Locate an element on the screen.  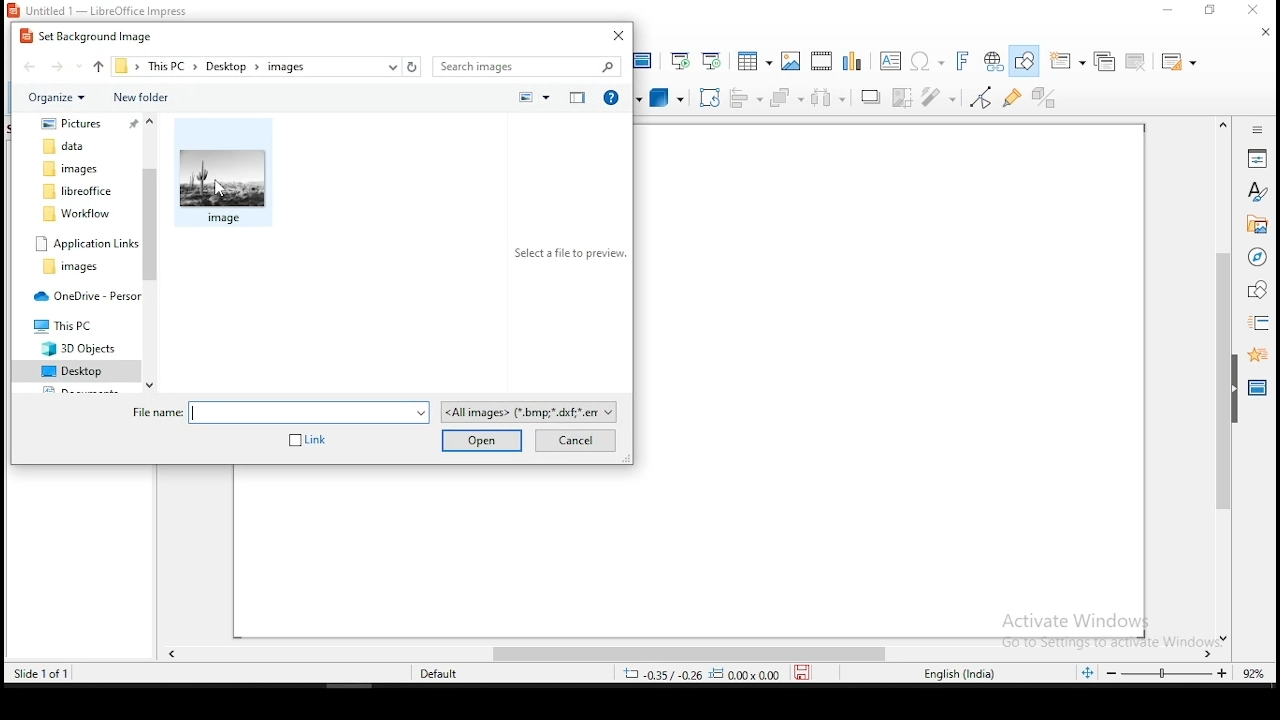
search bar is located at coordinates (527, 65).